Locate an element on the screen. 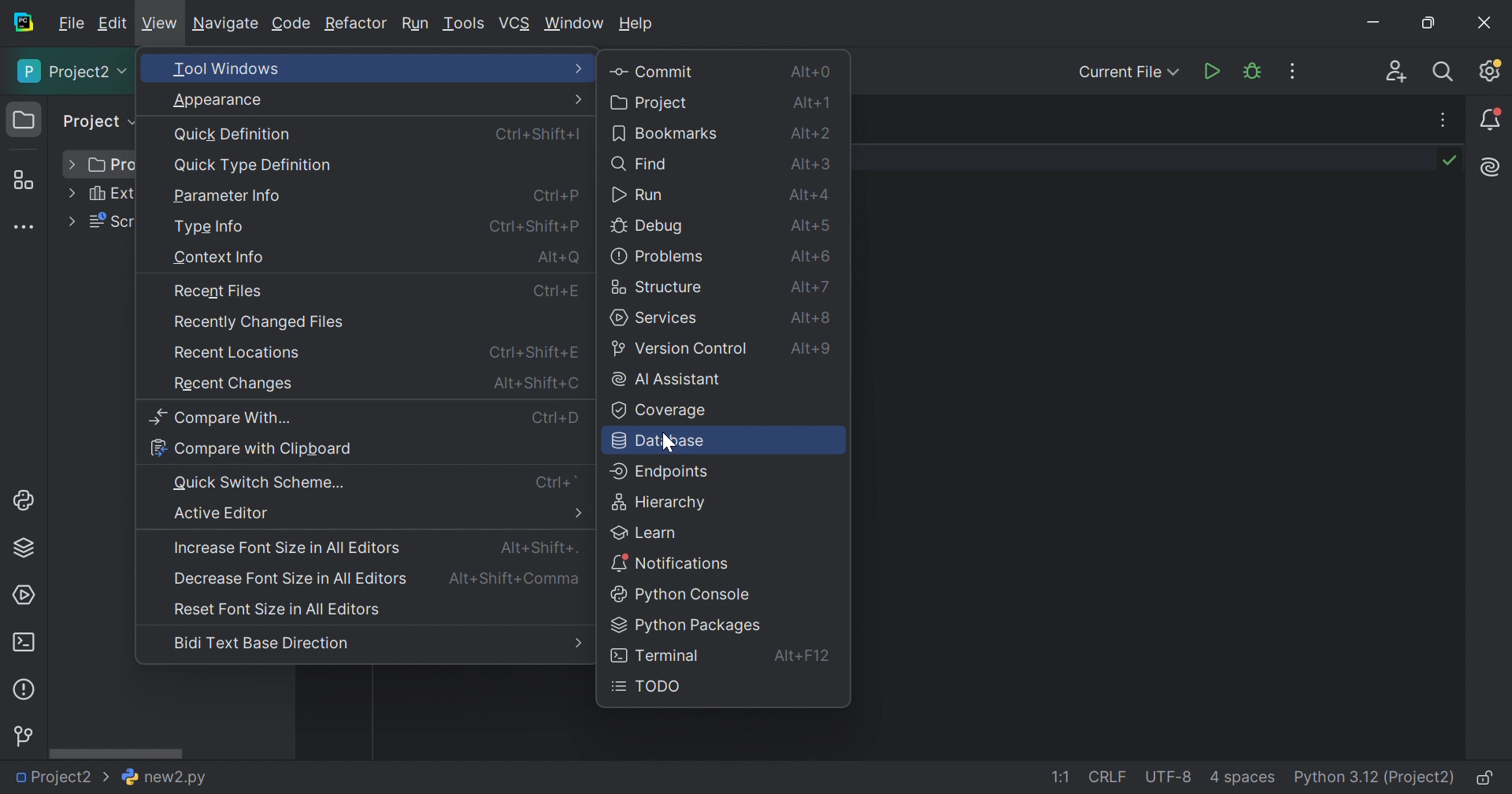  Recent changes is located at coordinates (237, 384).